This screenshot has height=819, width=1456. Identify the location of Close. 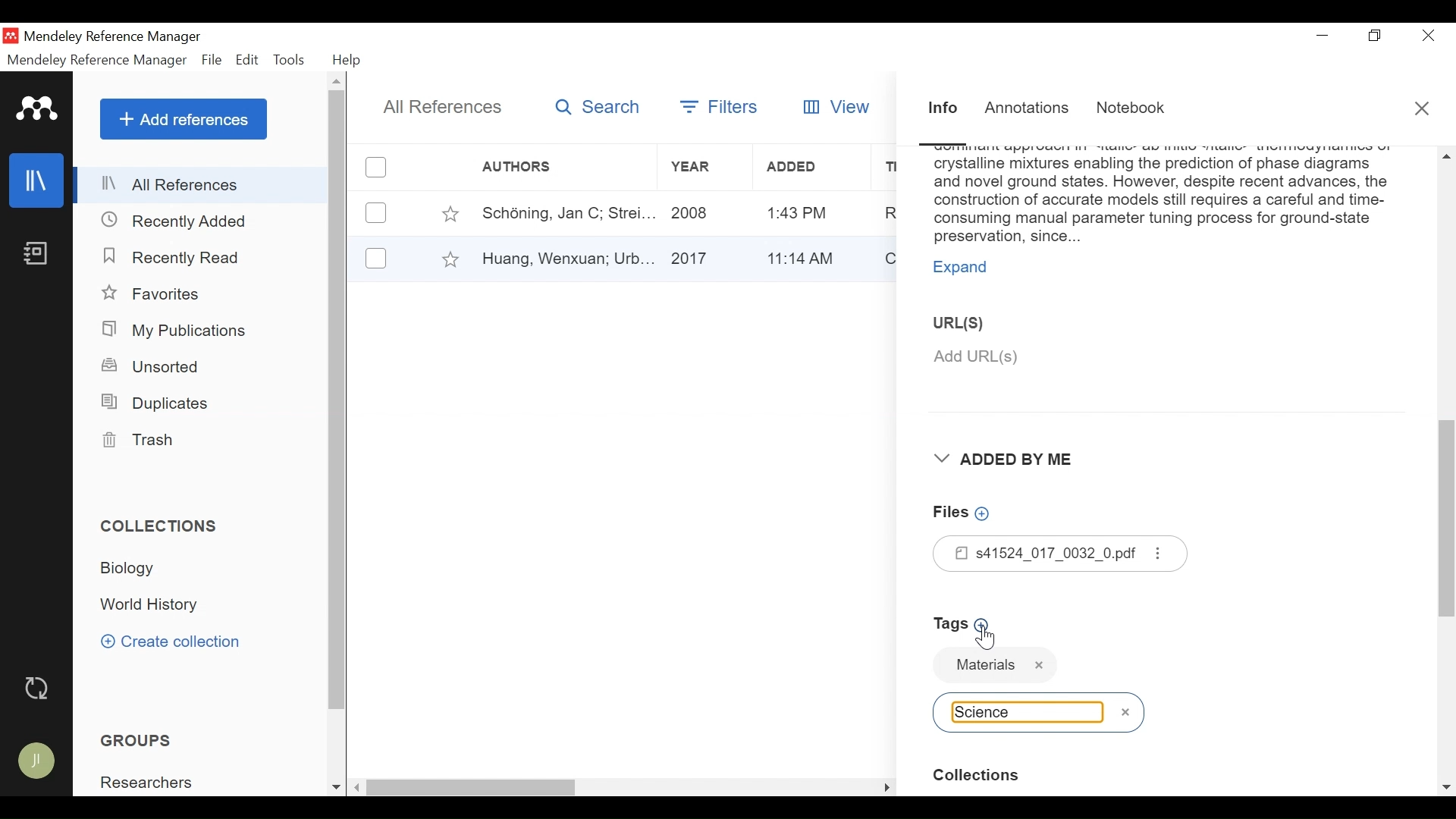
(1423, 109).